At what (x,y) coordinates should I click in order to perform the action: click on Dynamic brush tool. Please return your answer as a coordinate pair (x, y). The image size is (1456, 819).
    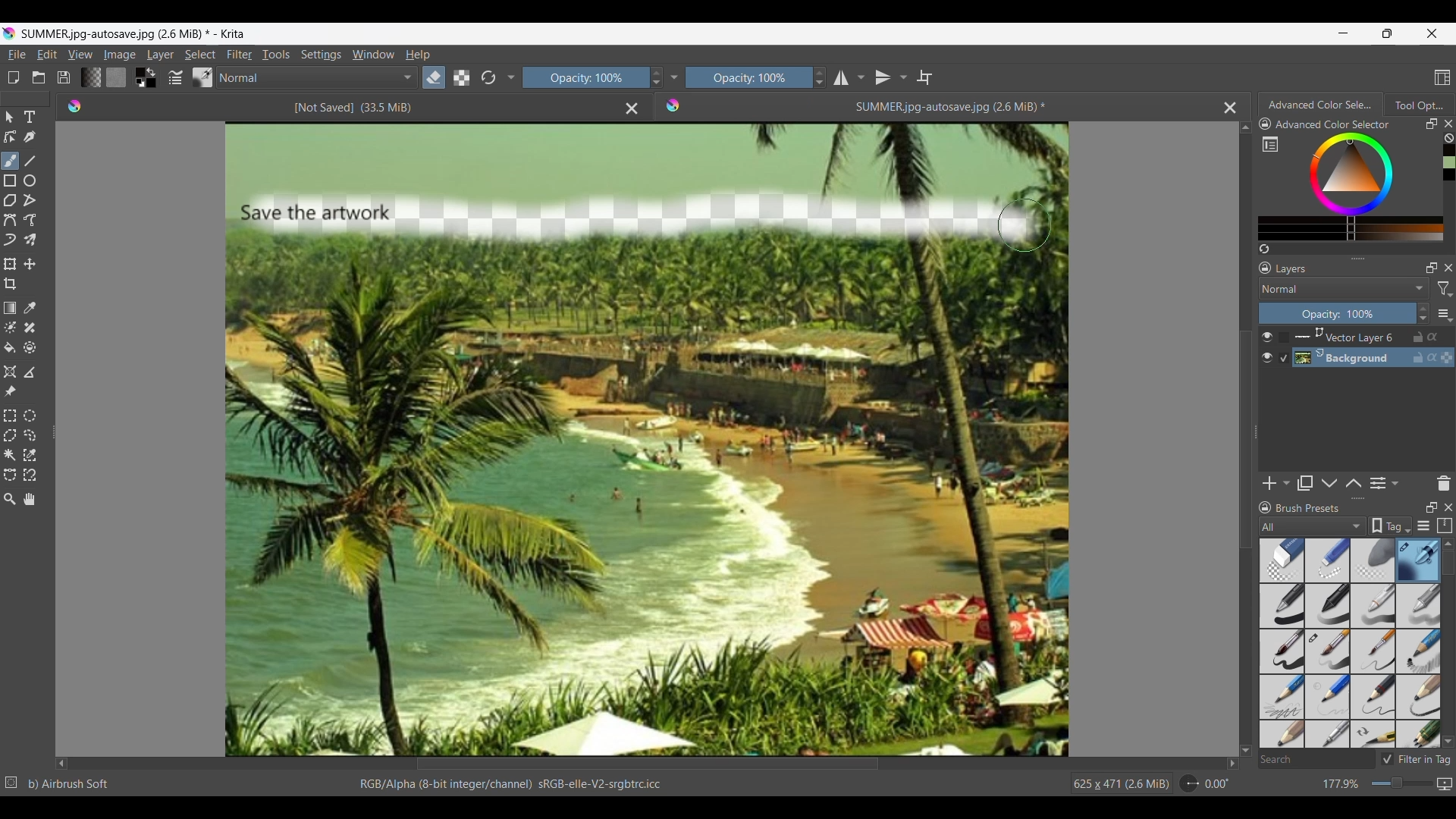
    Looking at the image, I should click on (10, 240).